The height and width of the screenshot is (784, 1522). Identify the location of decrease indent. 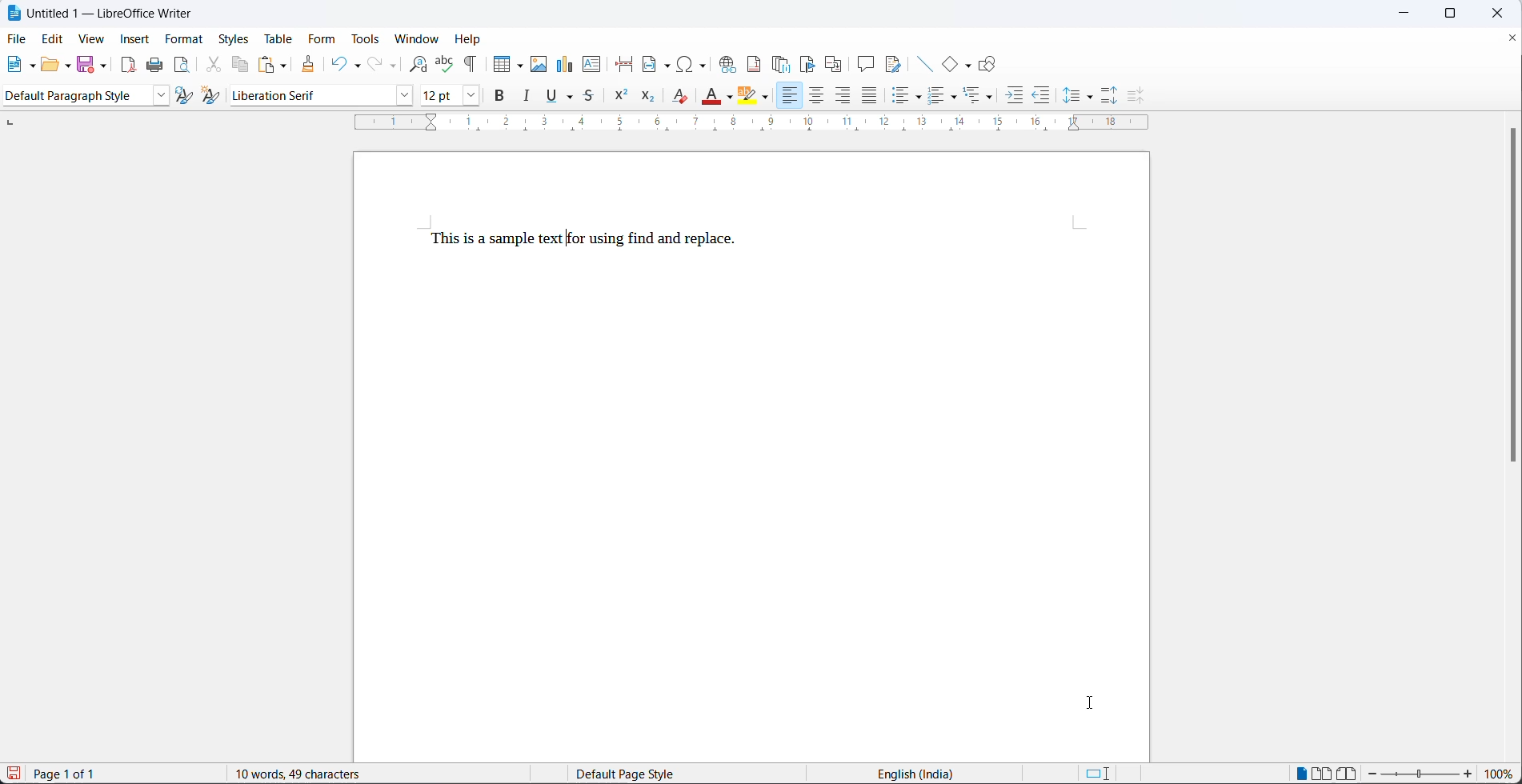
(1042, 98).